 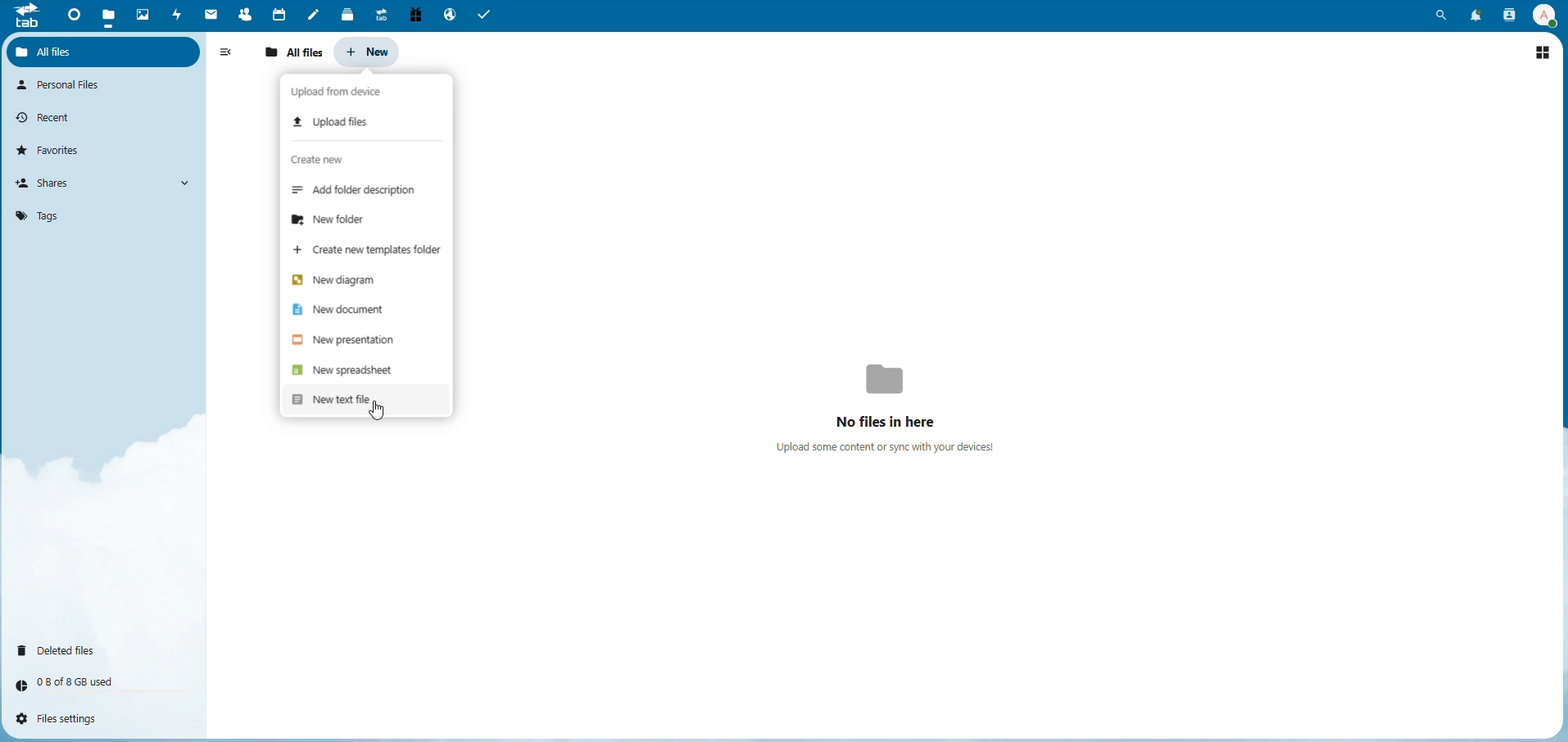 I want to click on Personal Files, so click(x=66, y=85).